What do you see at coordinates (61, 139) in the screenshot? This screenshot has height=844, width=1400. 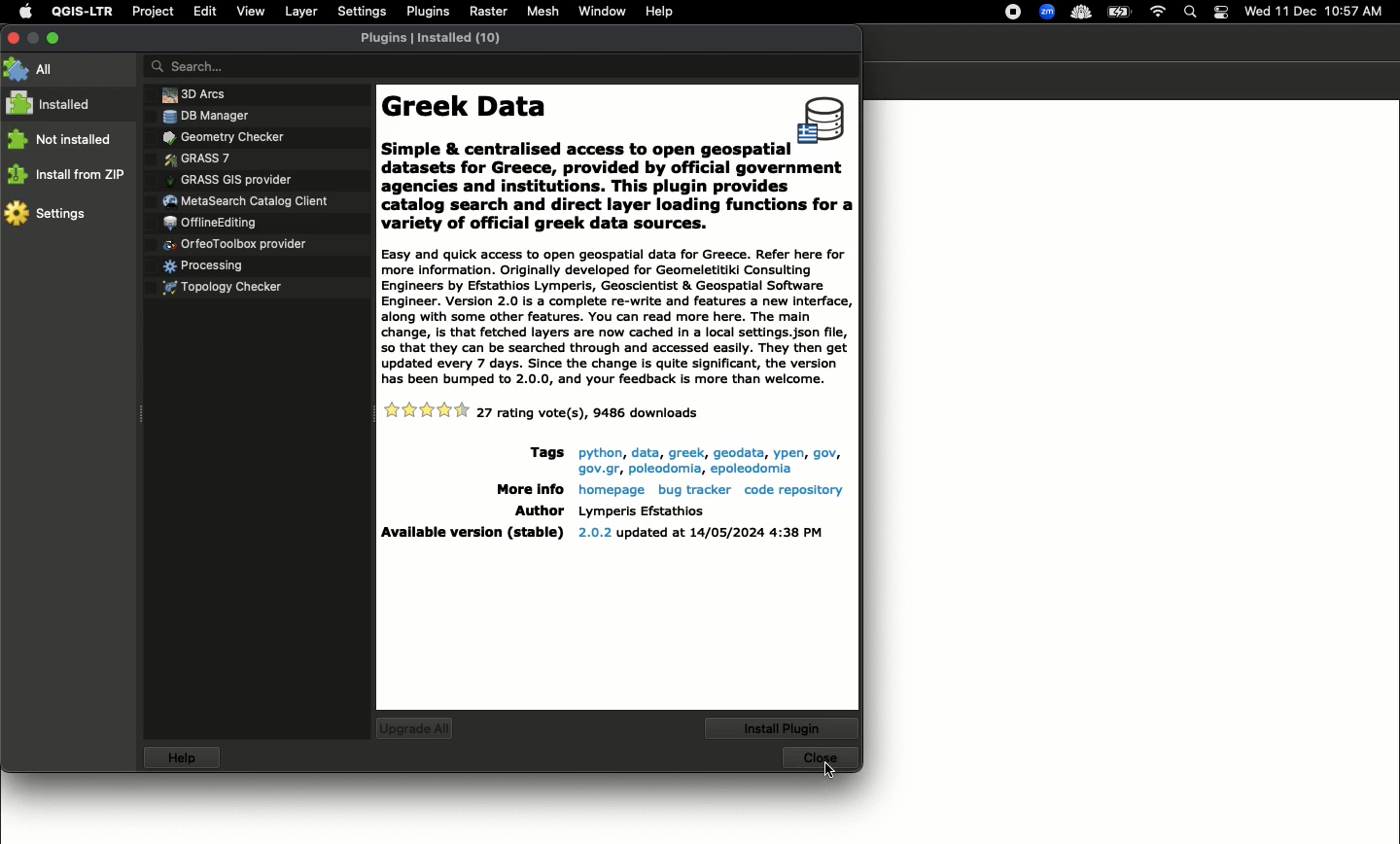 I see `Not installed` at bounding box center [61, 139].